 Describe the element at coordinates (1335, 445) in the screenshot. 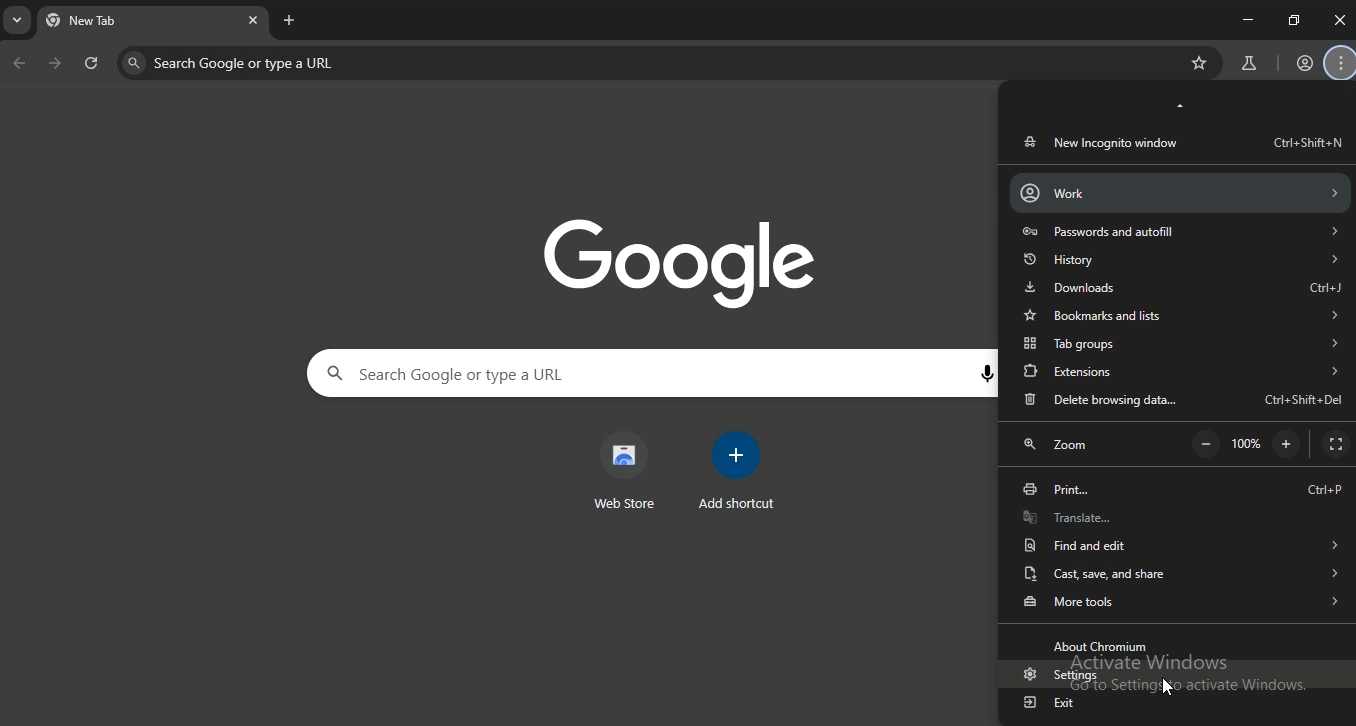

I see `display full screen` at that location.